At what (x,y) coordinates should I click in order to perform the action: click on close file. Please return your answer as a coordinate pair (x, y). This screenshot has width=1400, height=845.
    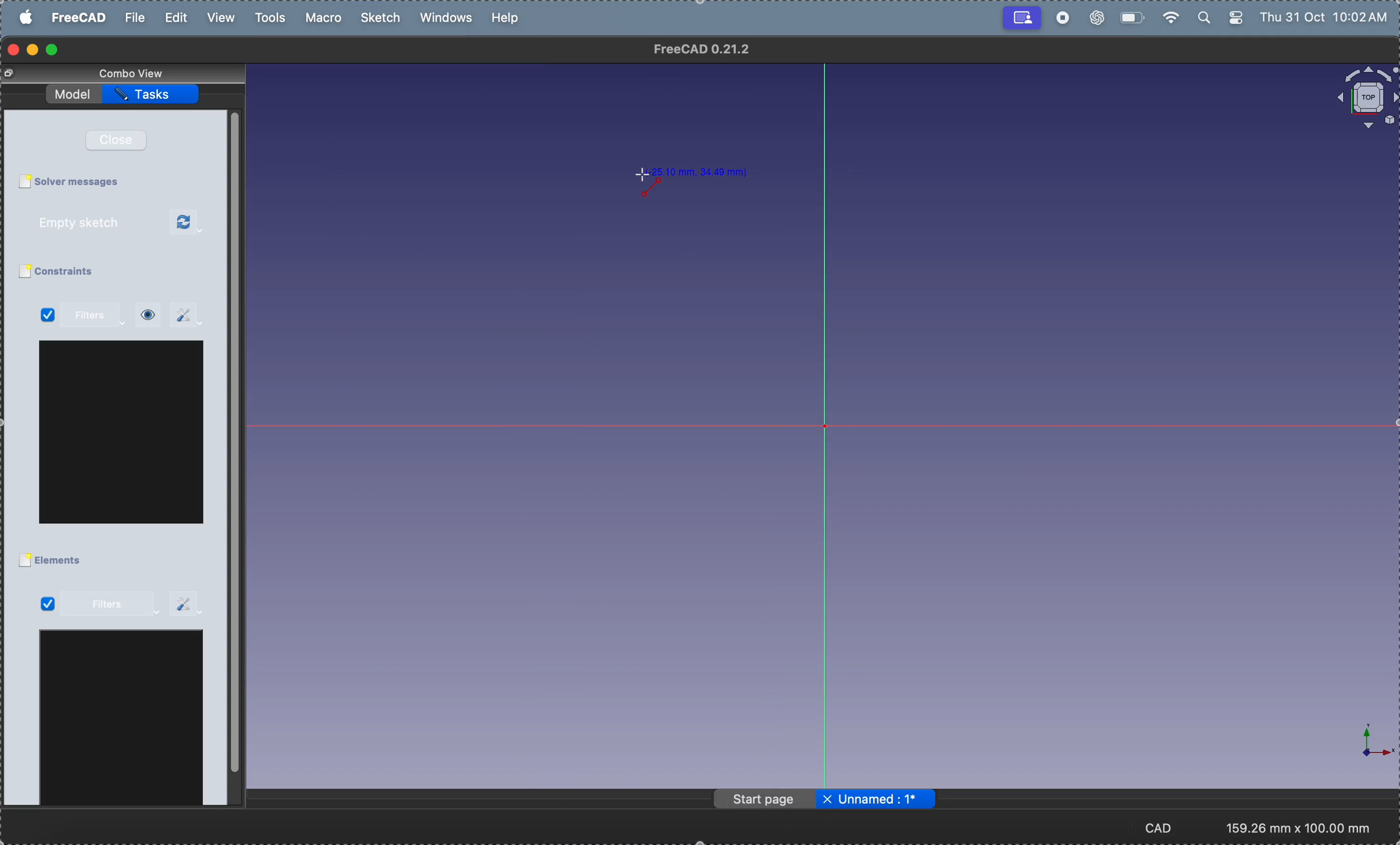
    Looking at the image, I should click on (827, 800).